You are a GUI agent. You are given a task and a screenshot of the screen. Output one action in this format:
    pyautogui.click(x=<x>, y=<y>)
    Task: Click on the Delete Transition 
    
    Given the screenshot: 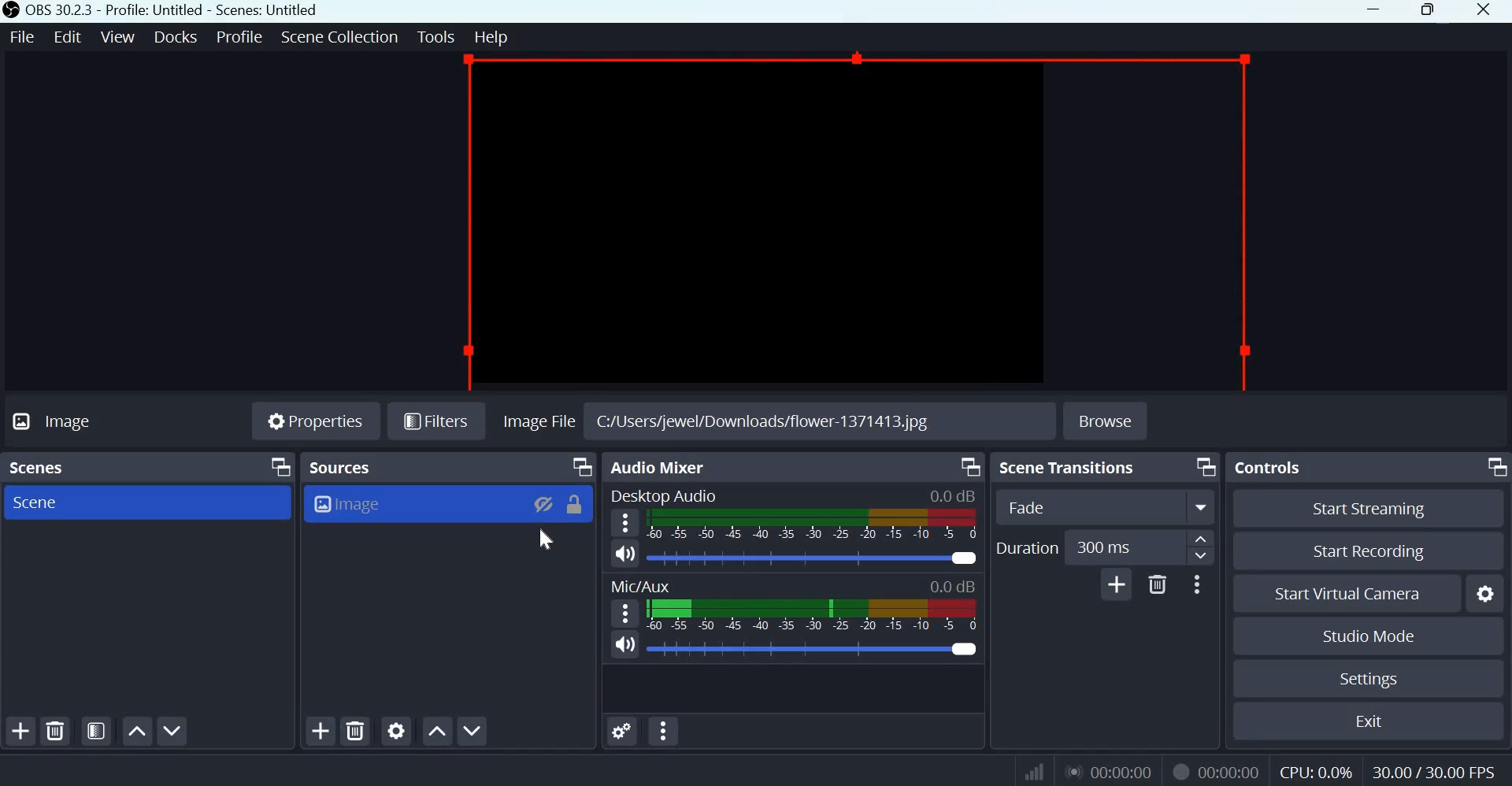 What is the action you would take?
    pyautogui.click(x=1158, y=584)
    